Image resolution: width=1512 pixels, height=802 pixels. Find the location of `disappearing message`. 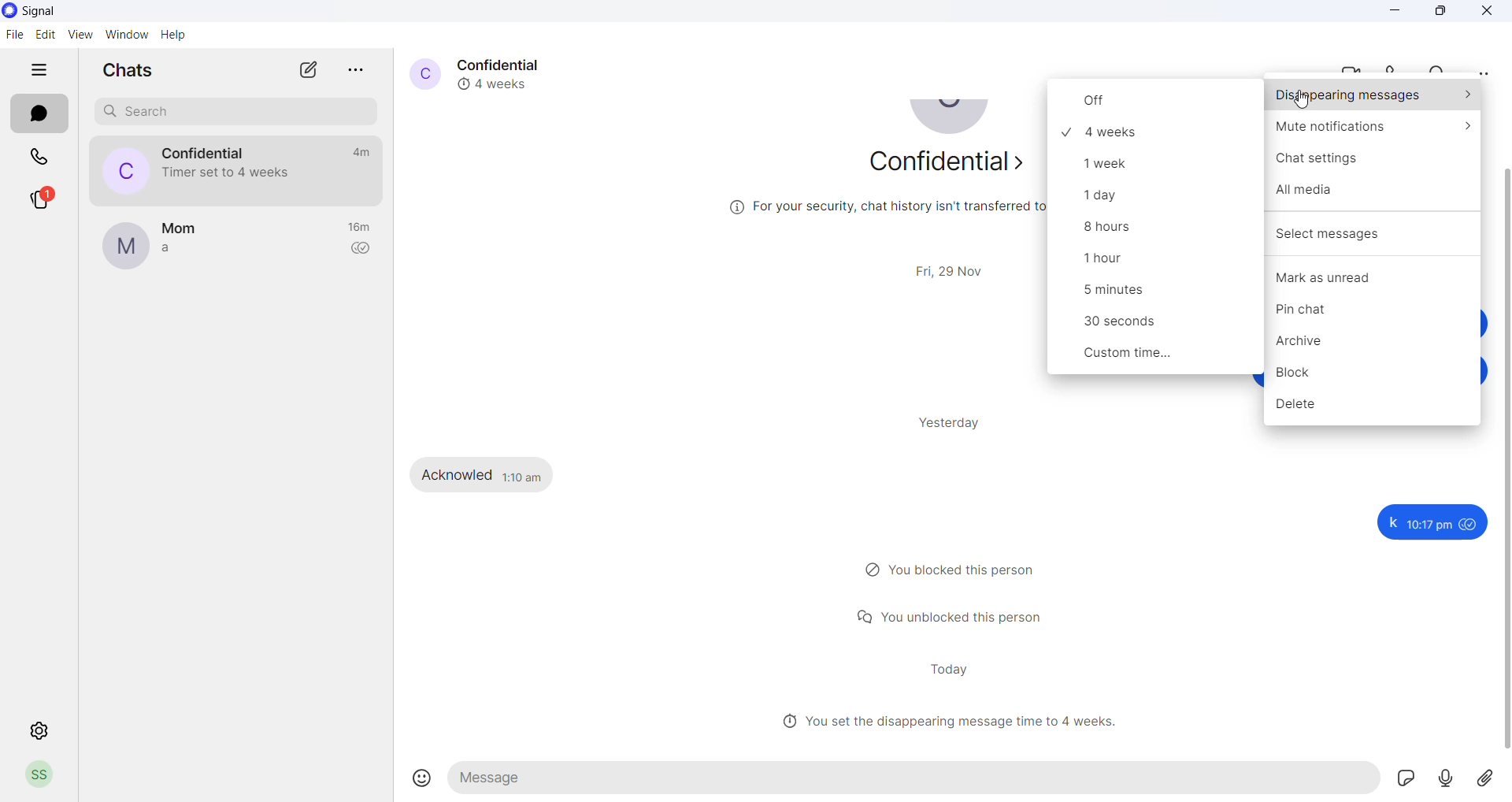

disappearing message is located at coordinates (499, 83).